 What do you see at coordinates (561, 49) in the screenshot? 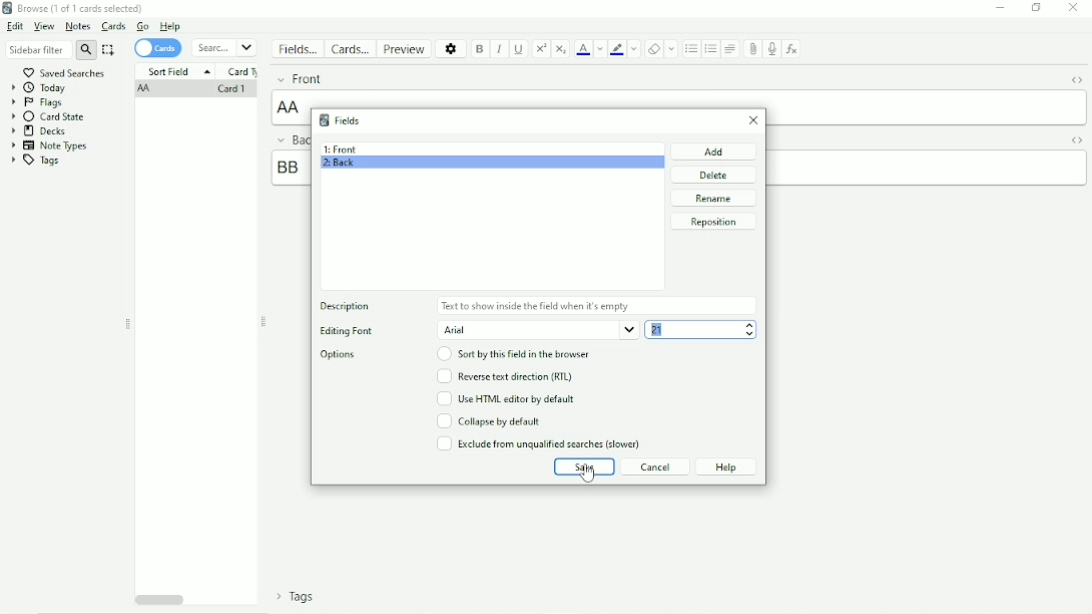
I see `Subscript` at bounding box center [561, 49].